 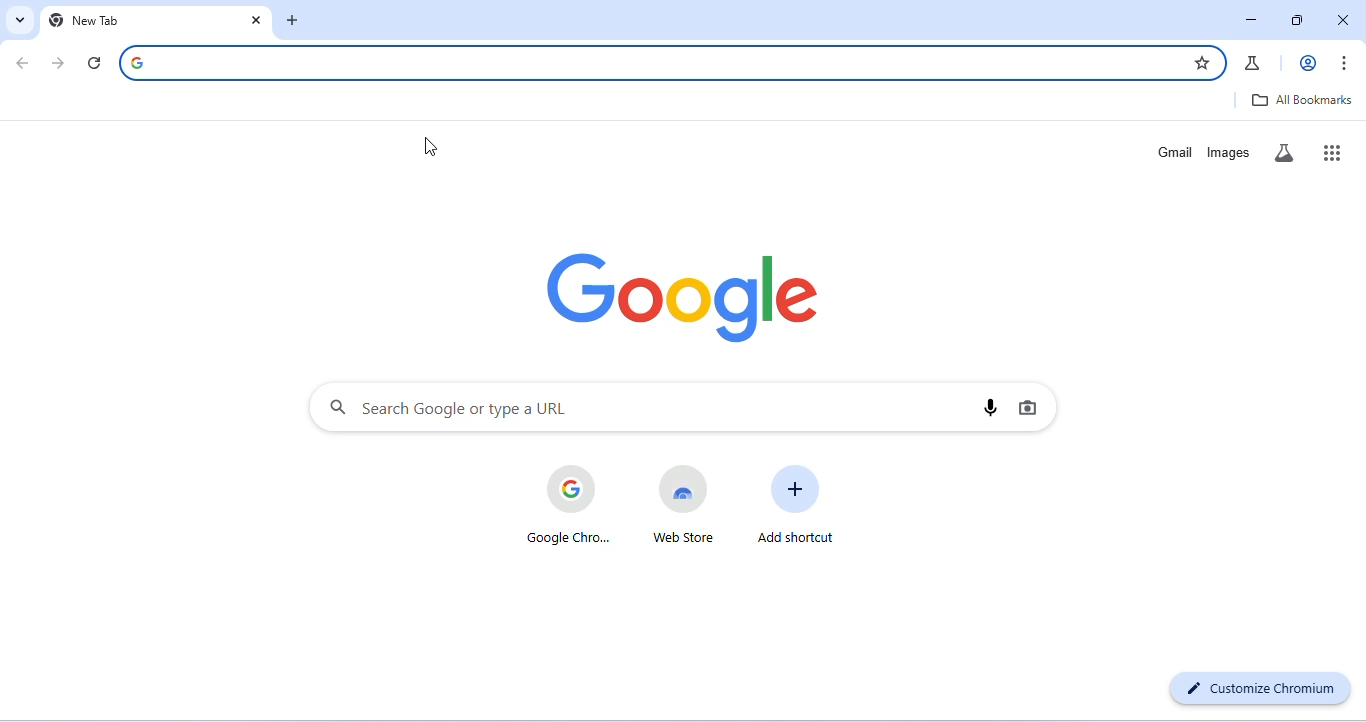 I want to click on account, so click(x=1308, y=63).